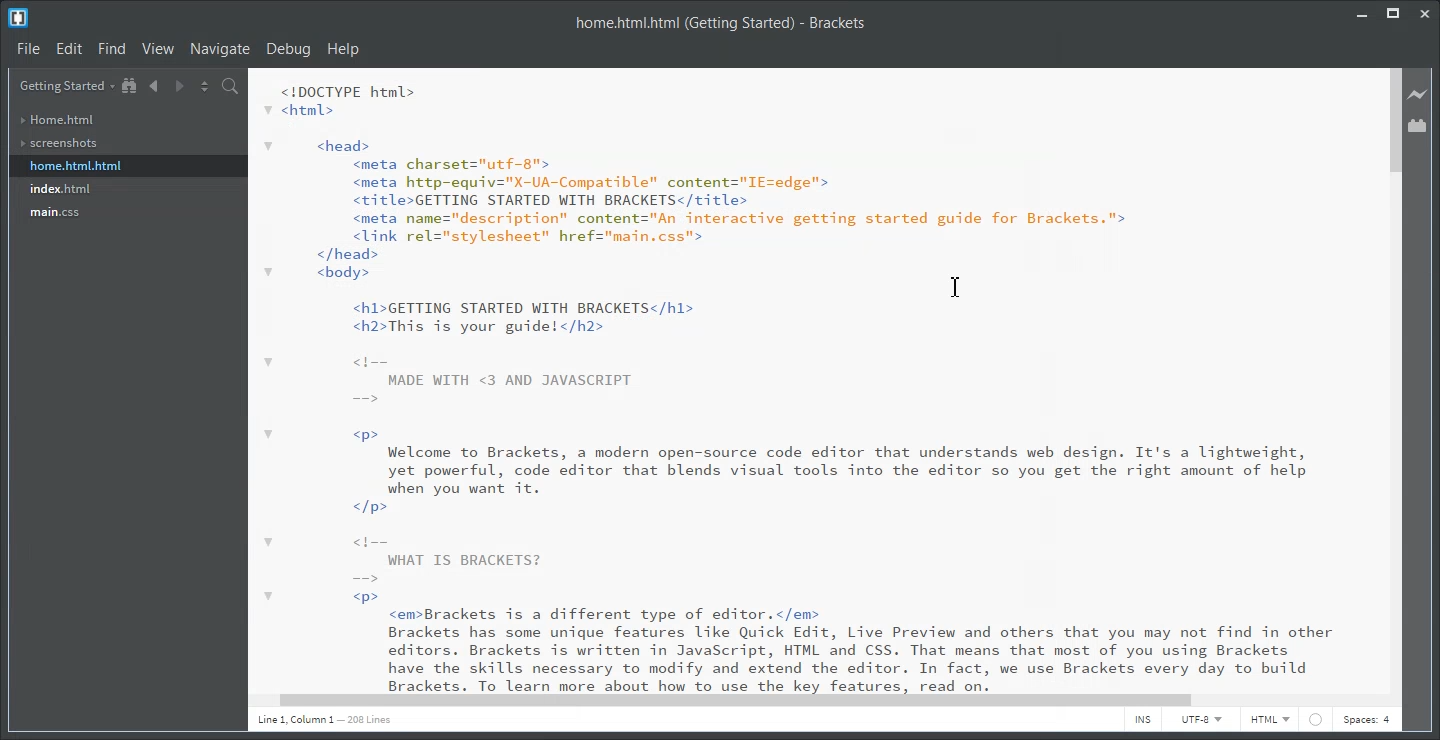  What do you see at coordinates (1369, 722) in the screenshot?
I see `Spaces: 4` at bounding box center [1369, 722].